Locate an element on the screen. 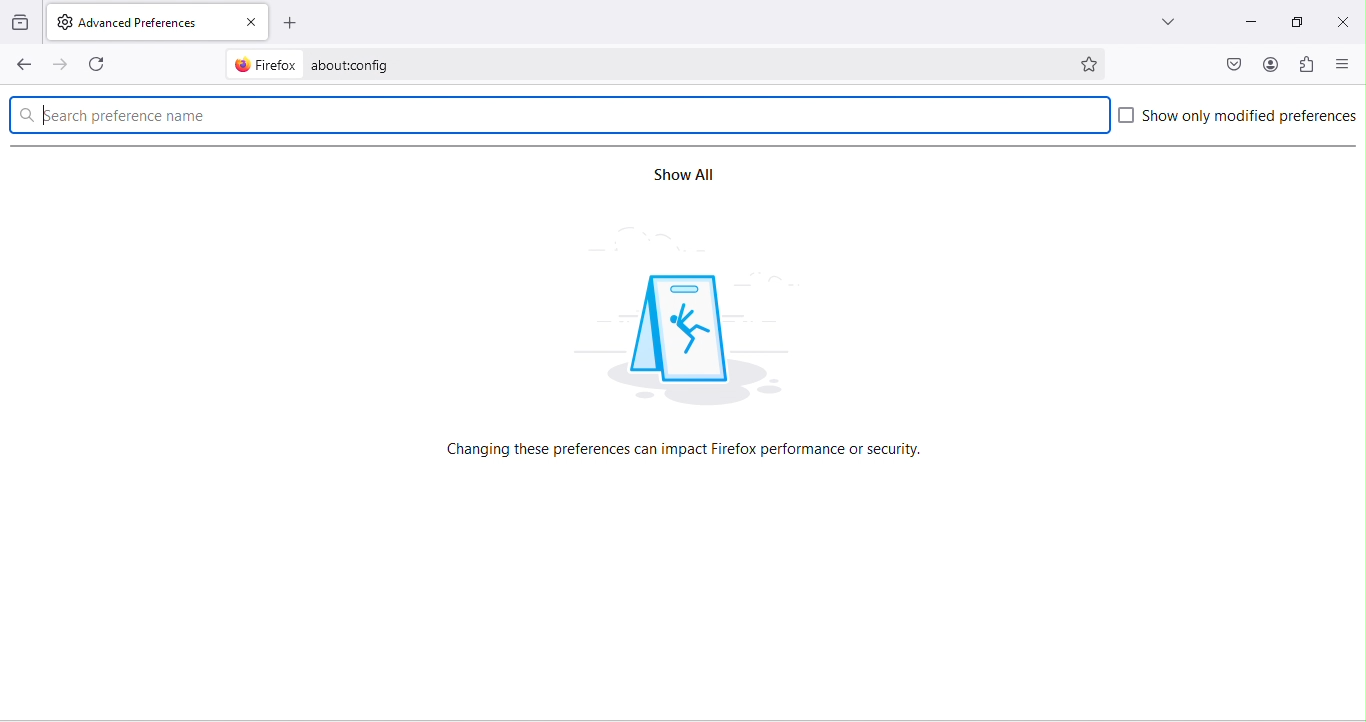 The width and height of the screenshot is (1366, 722). close is located at coordinates (1343, 21).